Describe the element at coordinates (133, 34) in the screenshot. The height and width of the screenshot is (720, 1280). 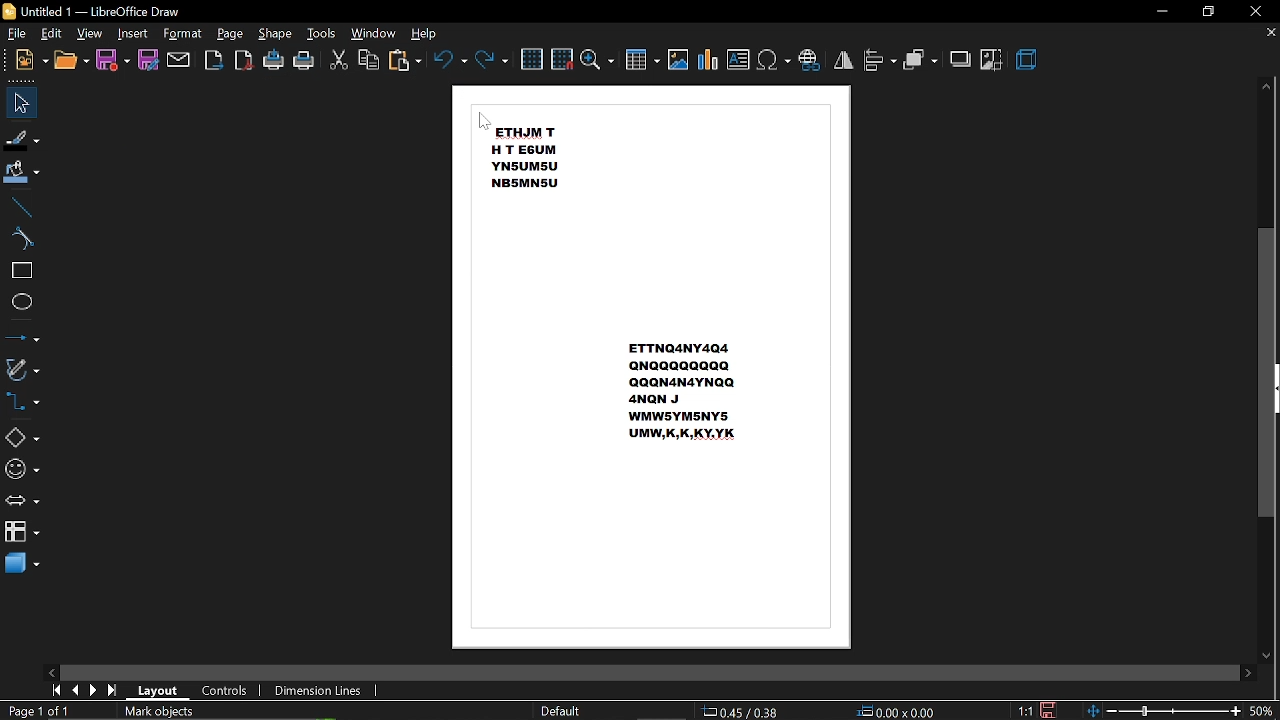
I see `insert` at that location.